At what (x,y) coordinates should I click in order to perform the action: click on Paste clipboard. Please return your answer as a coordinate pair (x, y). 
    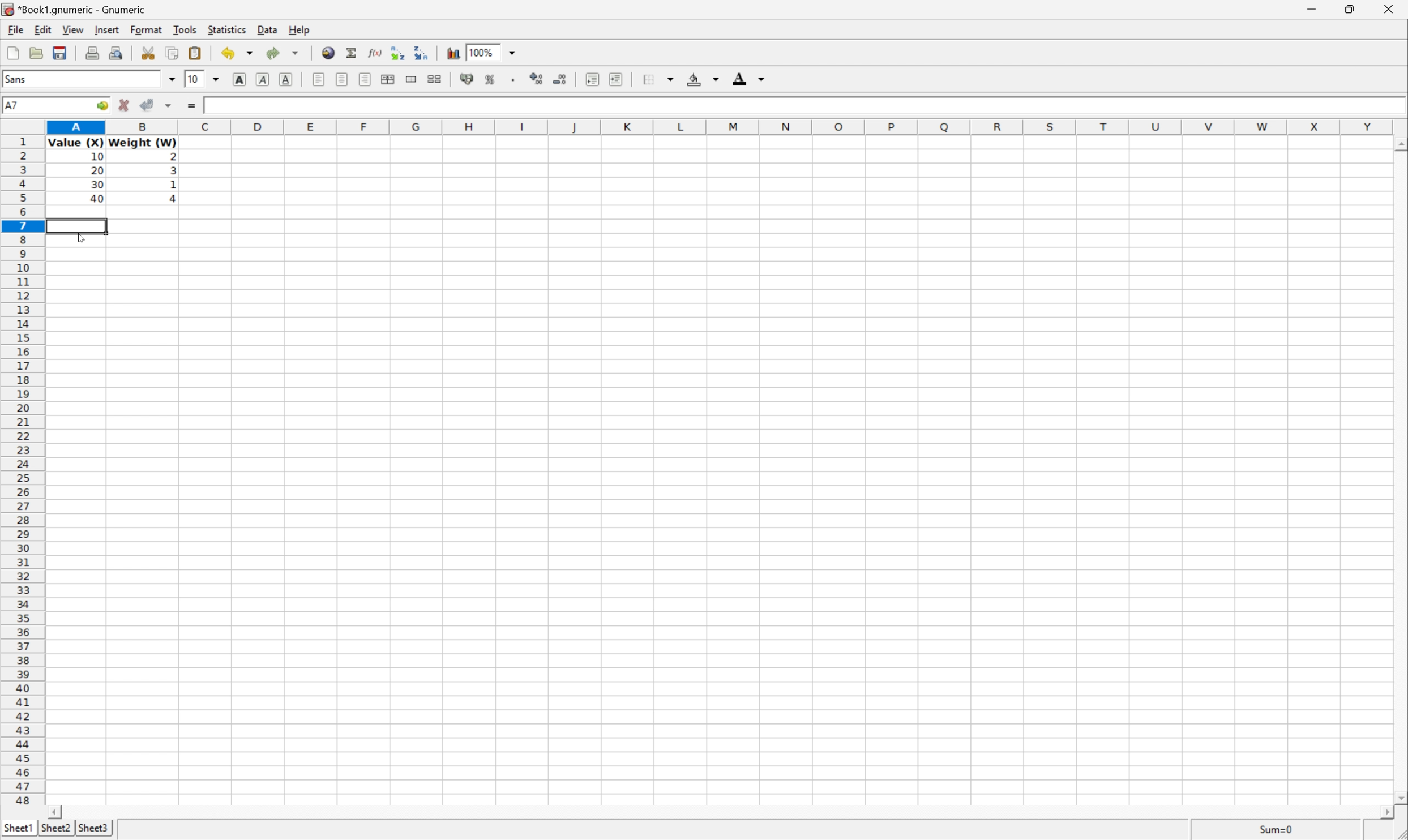
    Looking at the image, I should click on (196, 51).